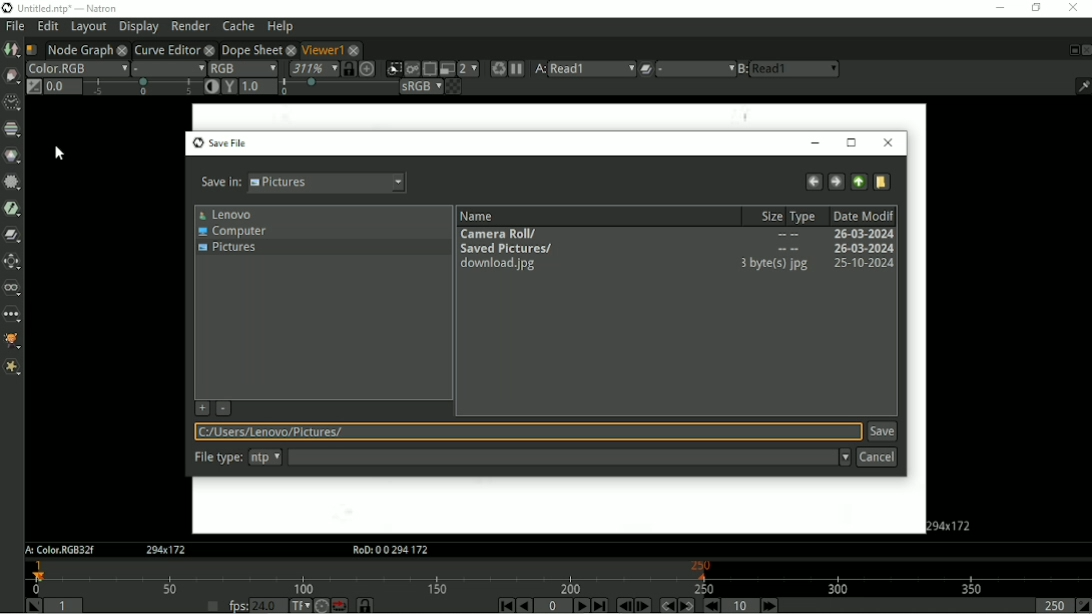 The image size is (1092, 614). What do you see at coordinates (667, 605) in the screenshot?
I see `Previous keyframe` at bounding box center [667, 605].